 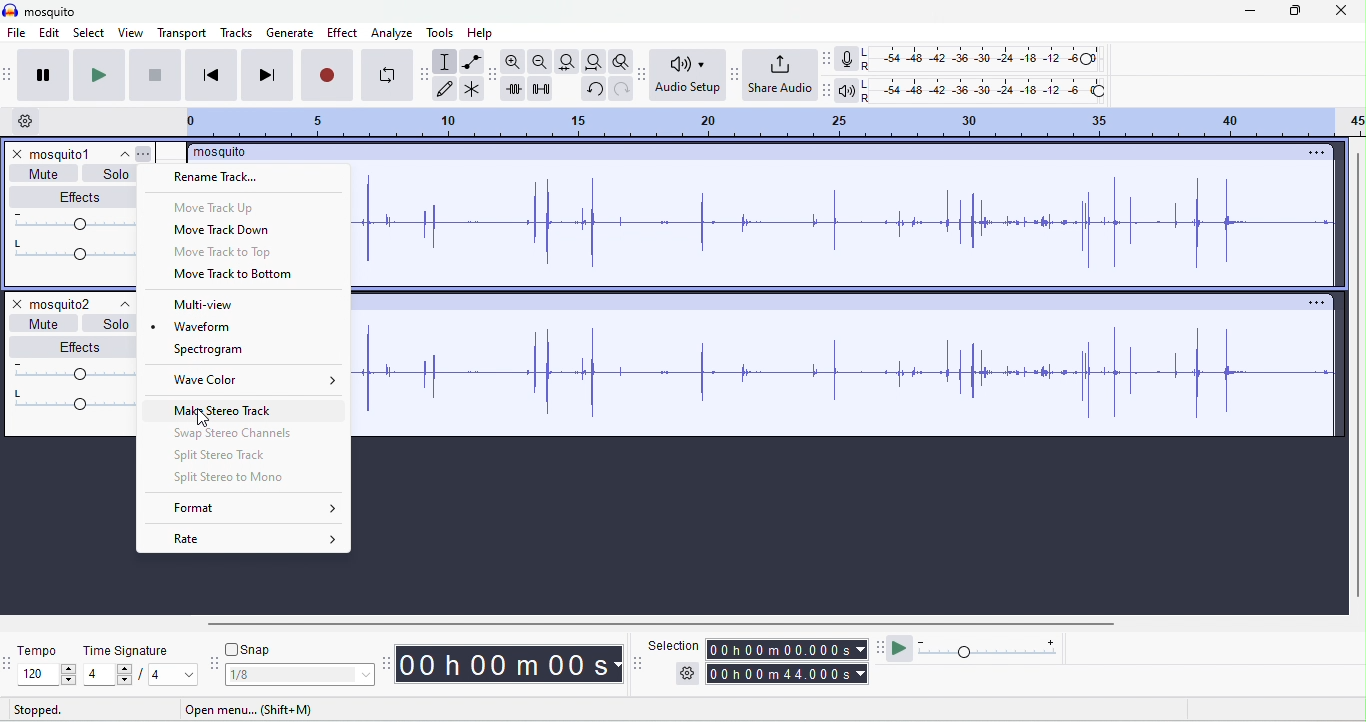 What do you see at coordinates (9, 75) in the screenshot?
I see `audacity audio transport tool bar` at bounding box center [9, 75].